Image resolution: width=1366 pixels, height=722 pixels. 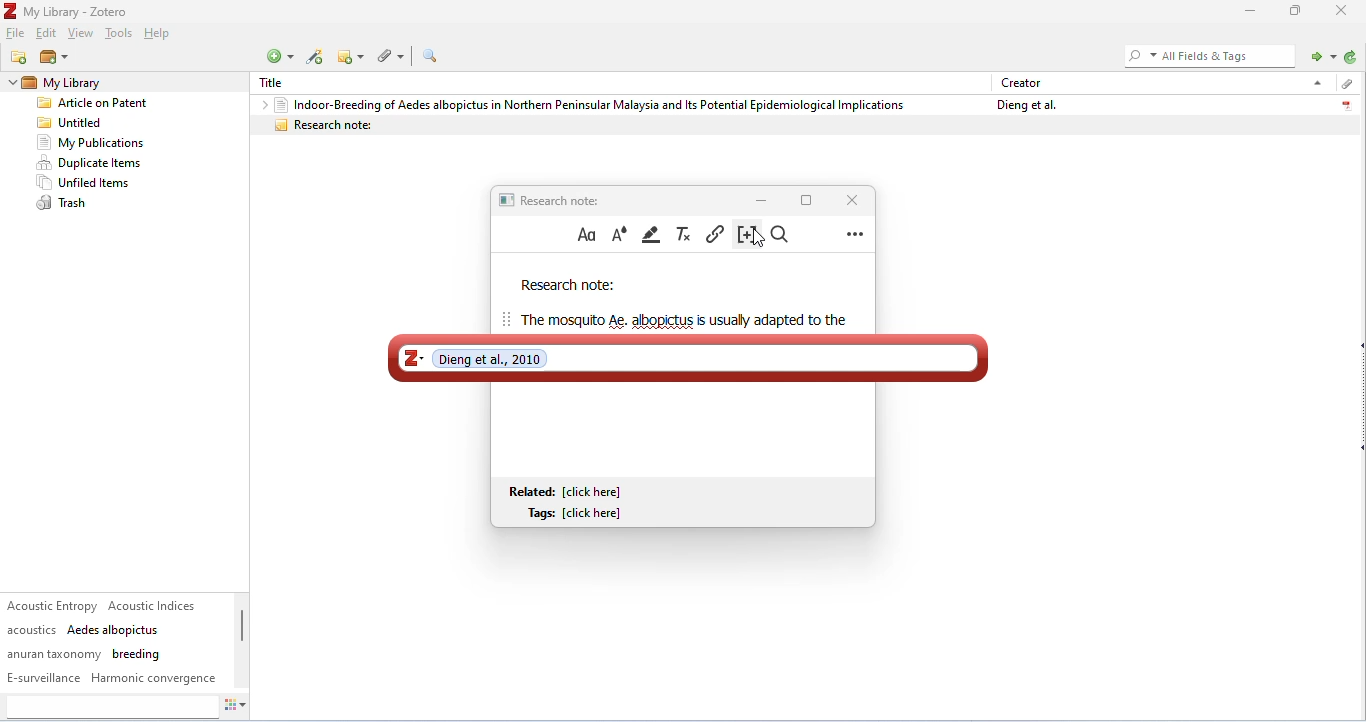 I want to click on text color, so click(x=619, y=234).